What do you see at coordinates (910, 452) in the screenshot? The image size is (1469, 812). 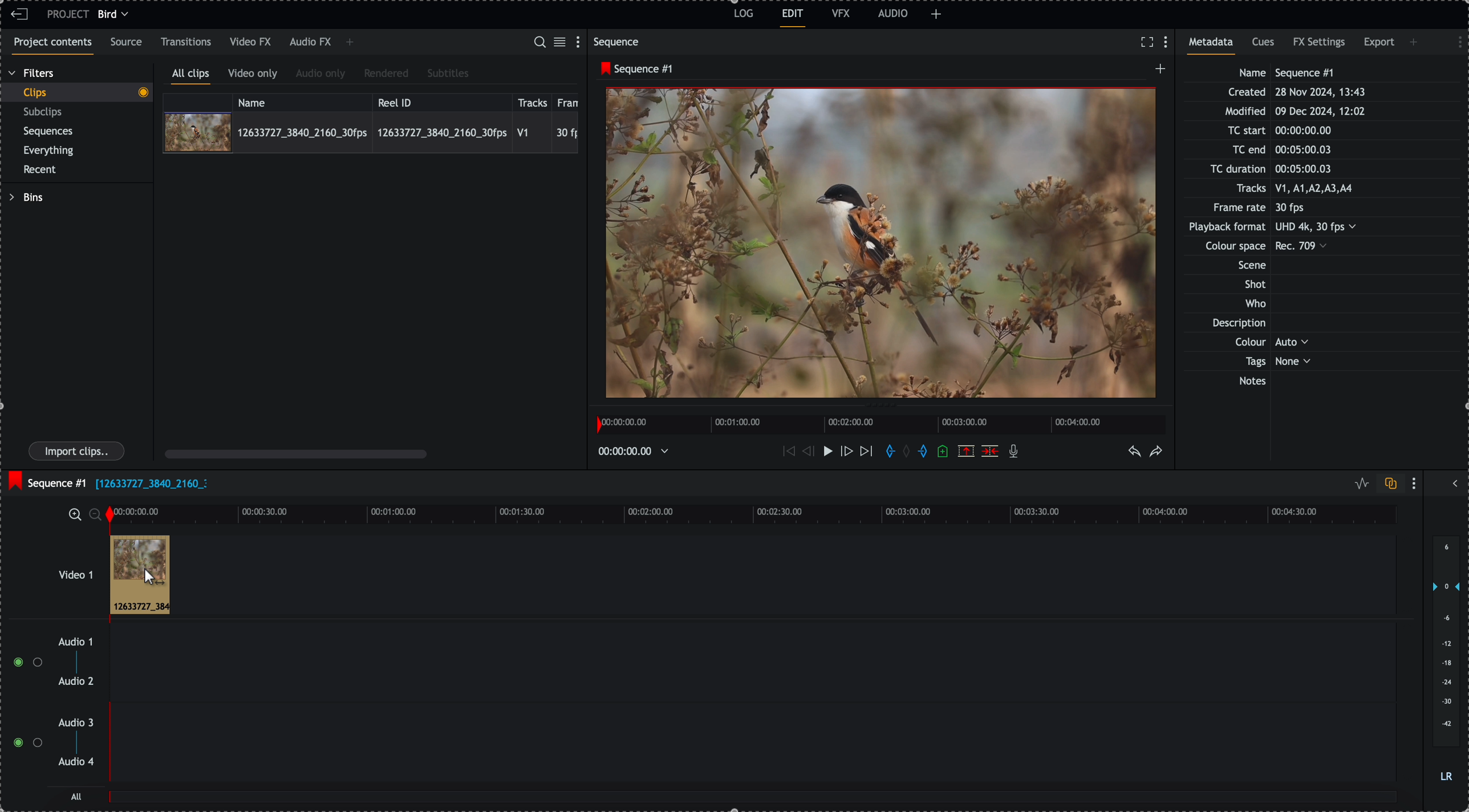 I see `clear marks` at bounding box center [910, 452].